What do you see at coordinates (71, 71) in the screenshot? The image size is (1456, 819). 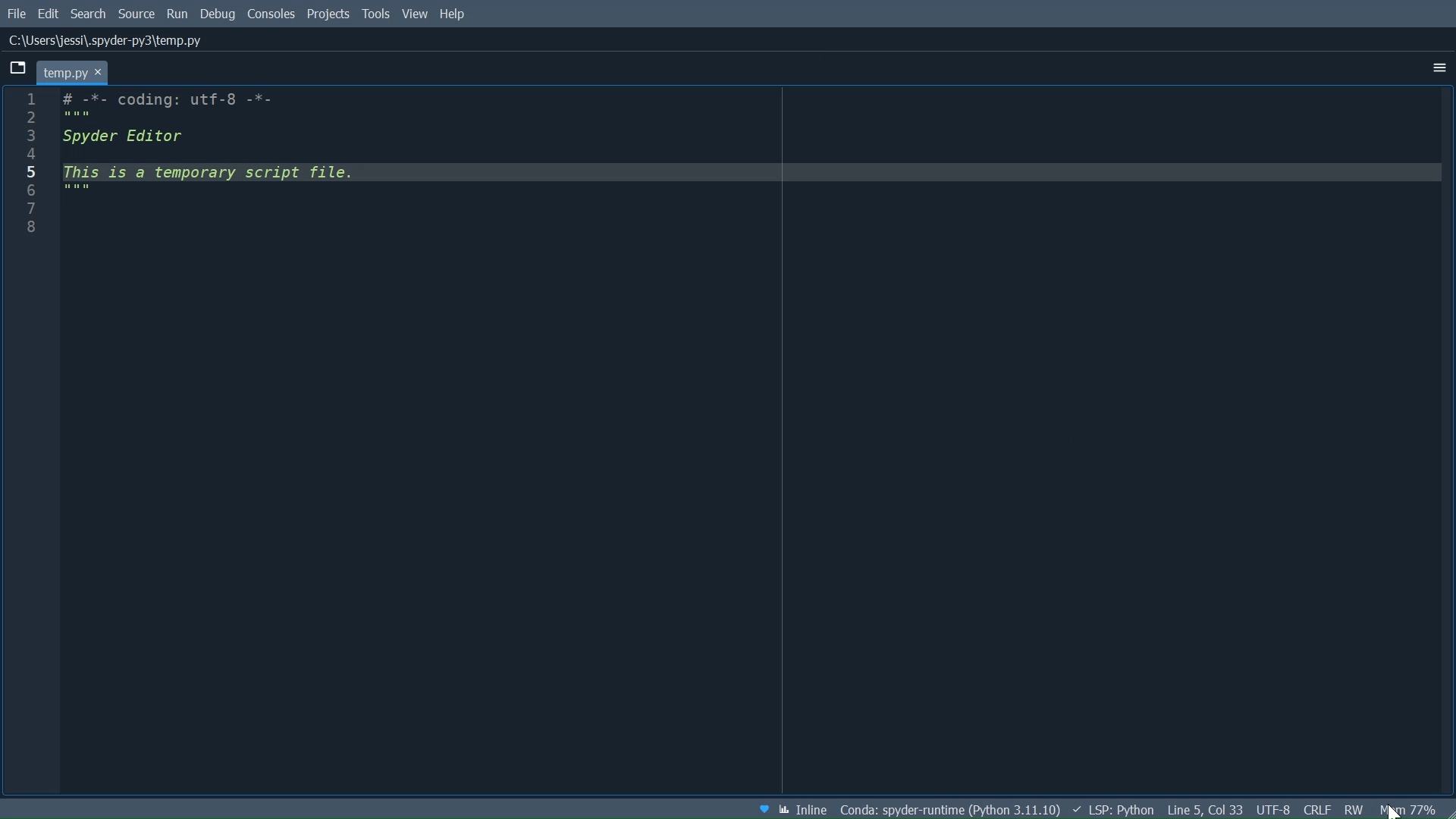 I see `Current tab` at bounding box center [71, 71].